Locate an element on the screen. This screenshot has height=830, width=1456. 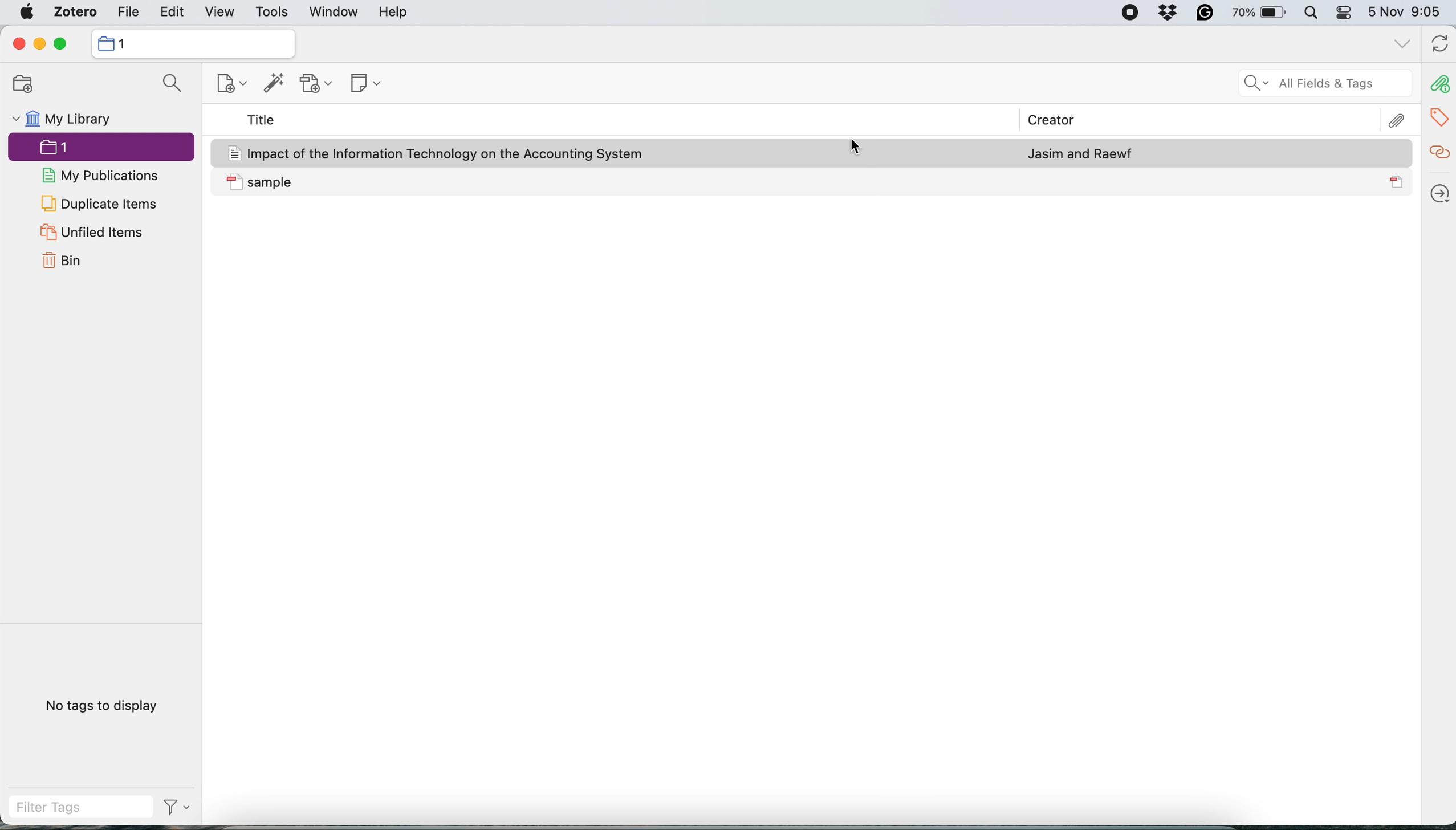
creator is located at coordinates (1044, 121).